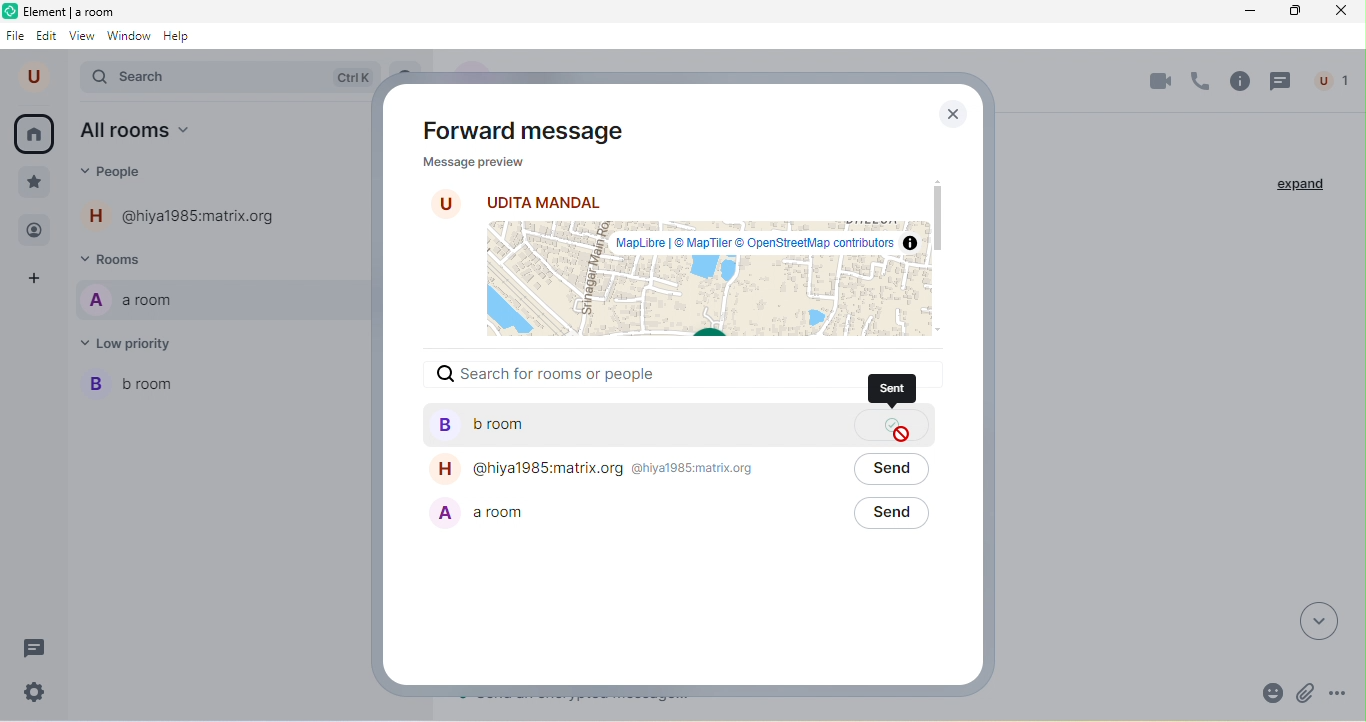  I want to click on sent, so click(891, 389).